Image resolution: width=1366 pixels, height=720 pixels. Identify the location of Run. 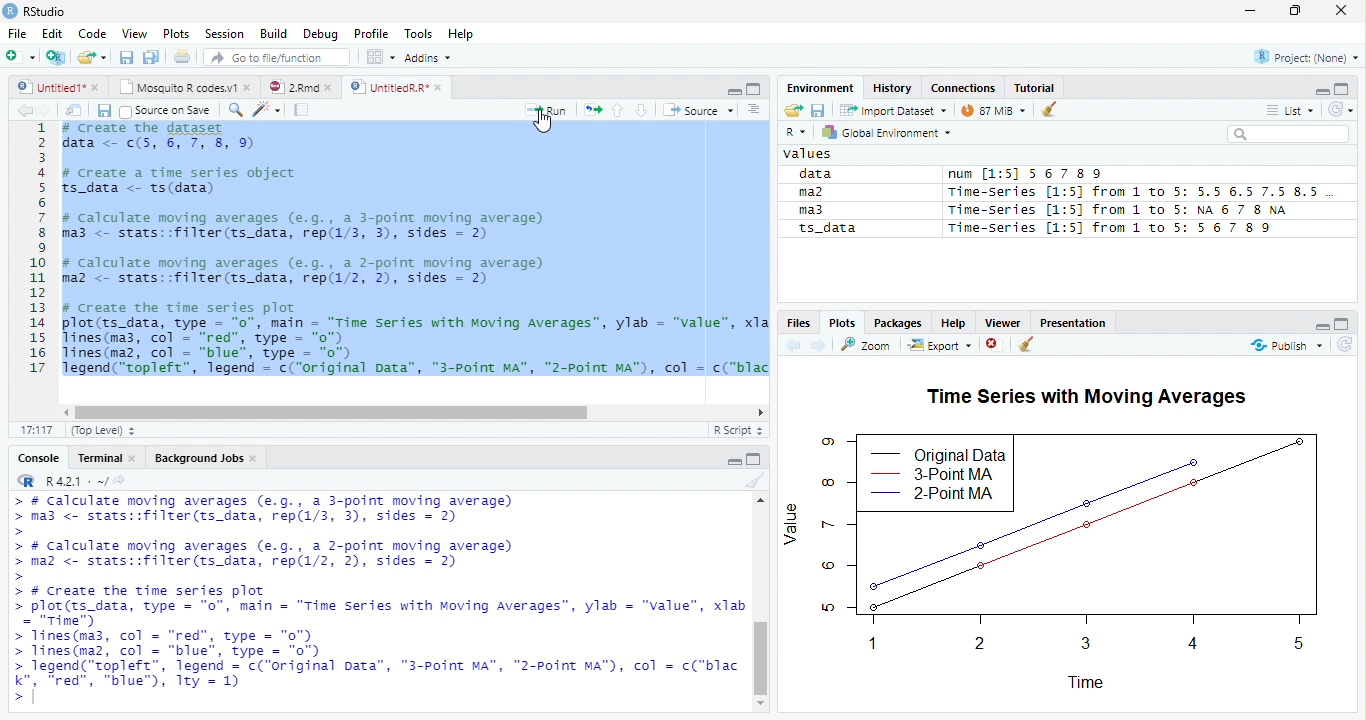
(547, 111).